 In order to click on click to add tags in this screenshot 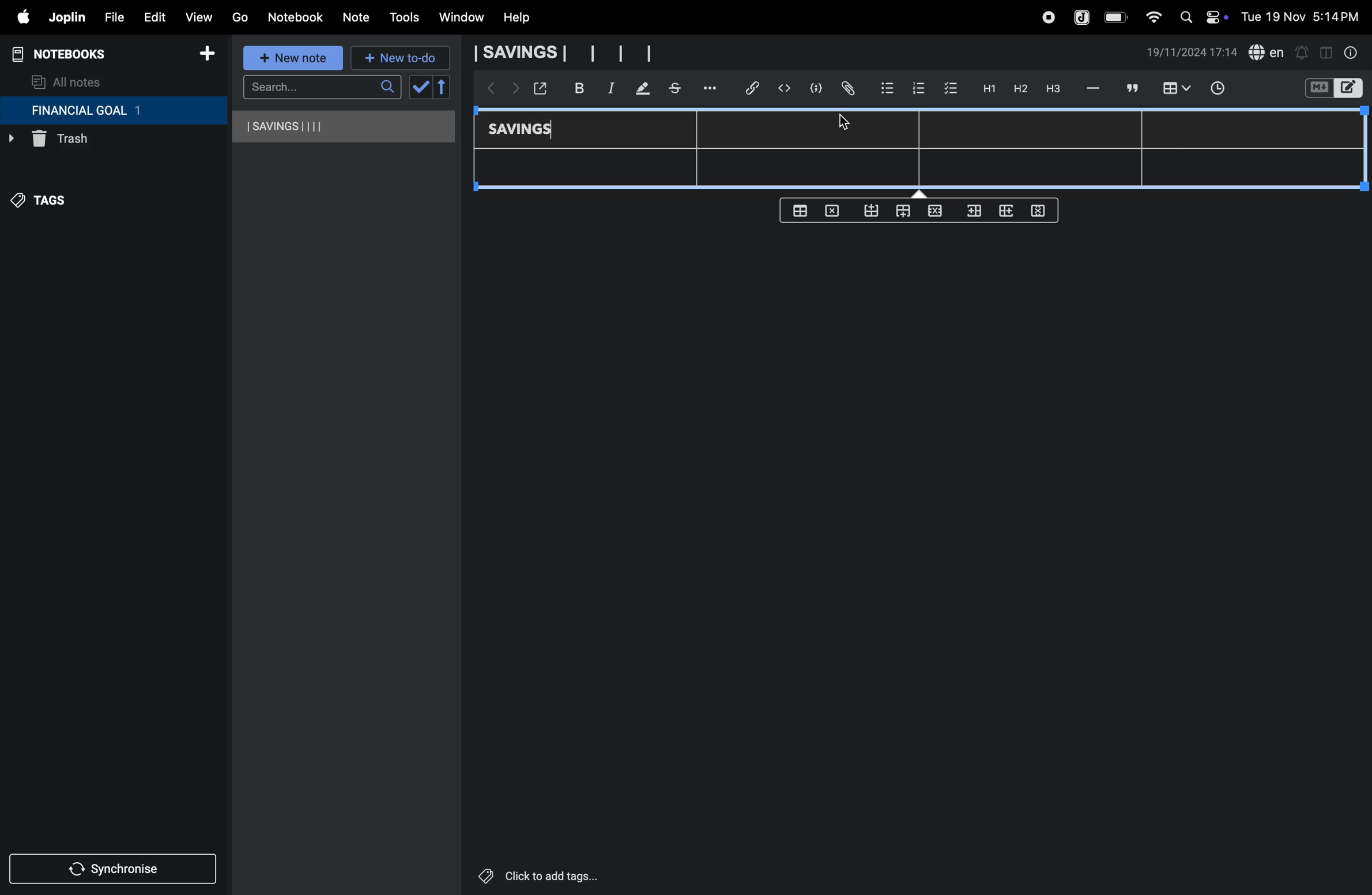, I will do `click(567, 875)`.